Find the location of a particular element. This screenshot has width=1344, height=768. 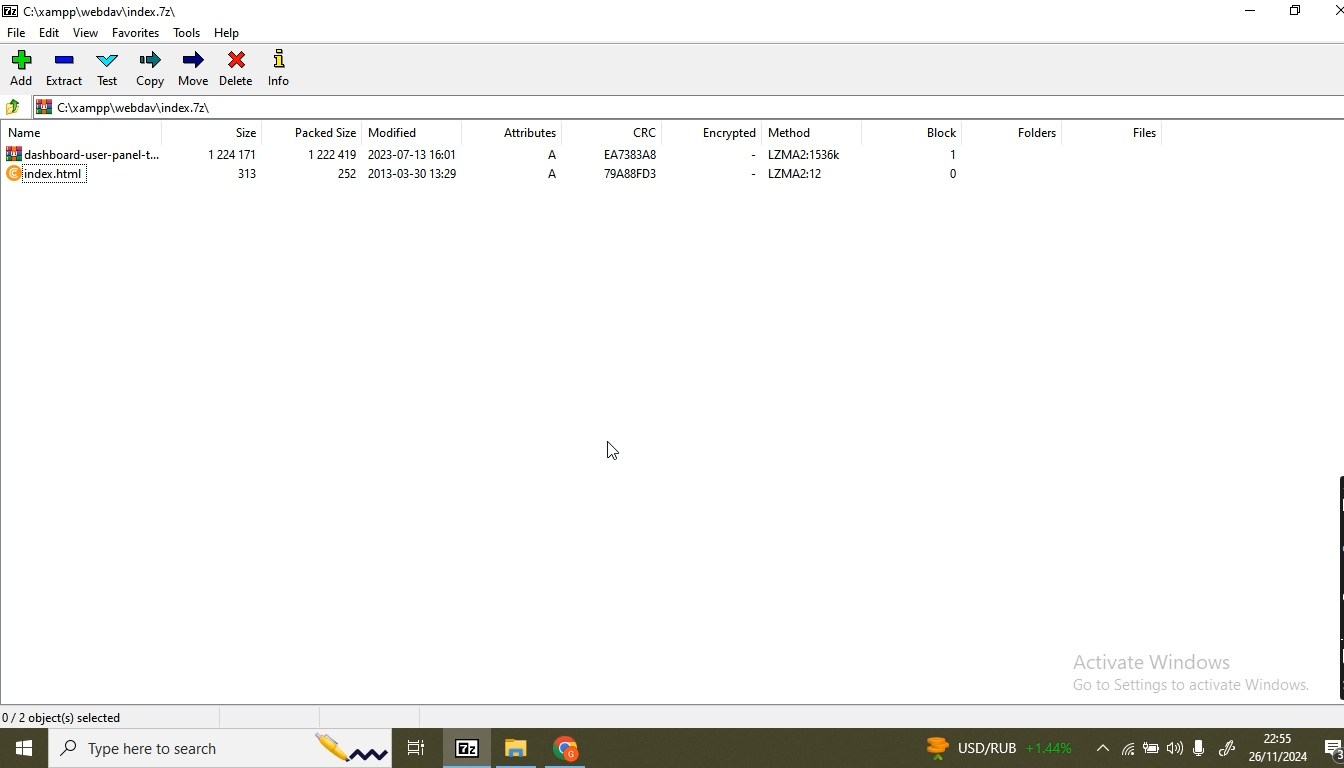

restore is located at coordinates (1299, 14).